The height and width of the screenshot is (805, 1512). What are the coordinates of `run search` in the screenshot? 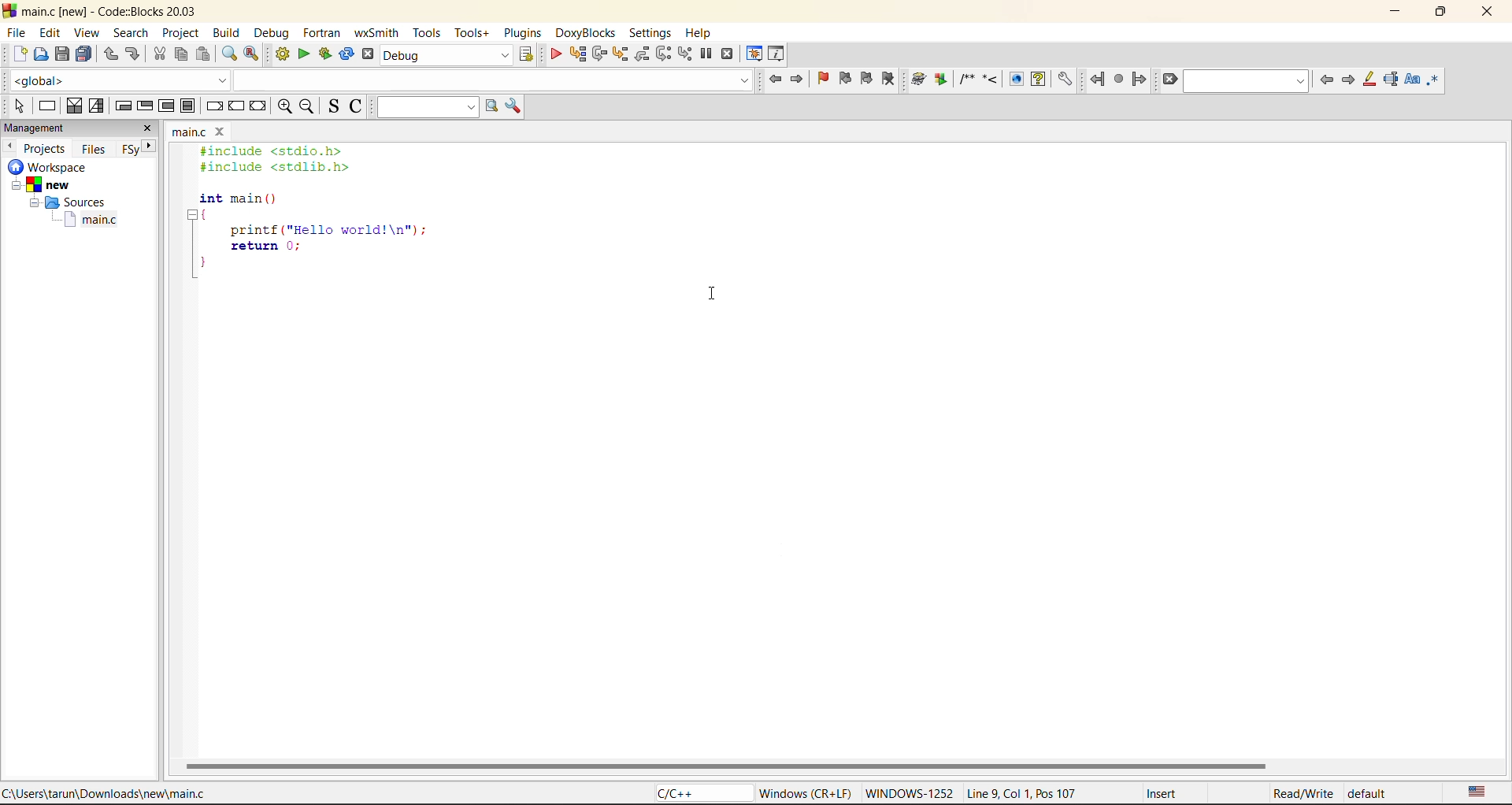 It's located at (492, 107).